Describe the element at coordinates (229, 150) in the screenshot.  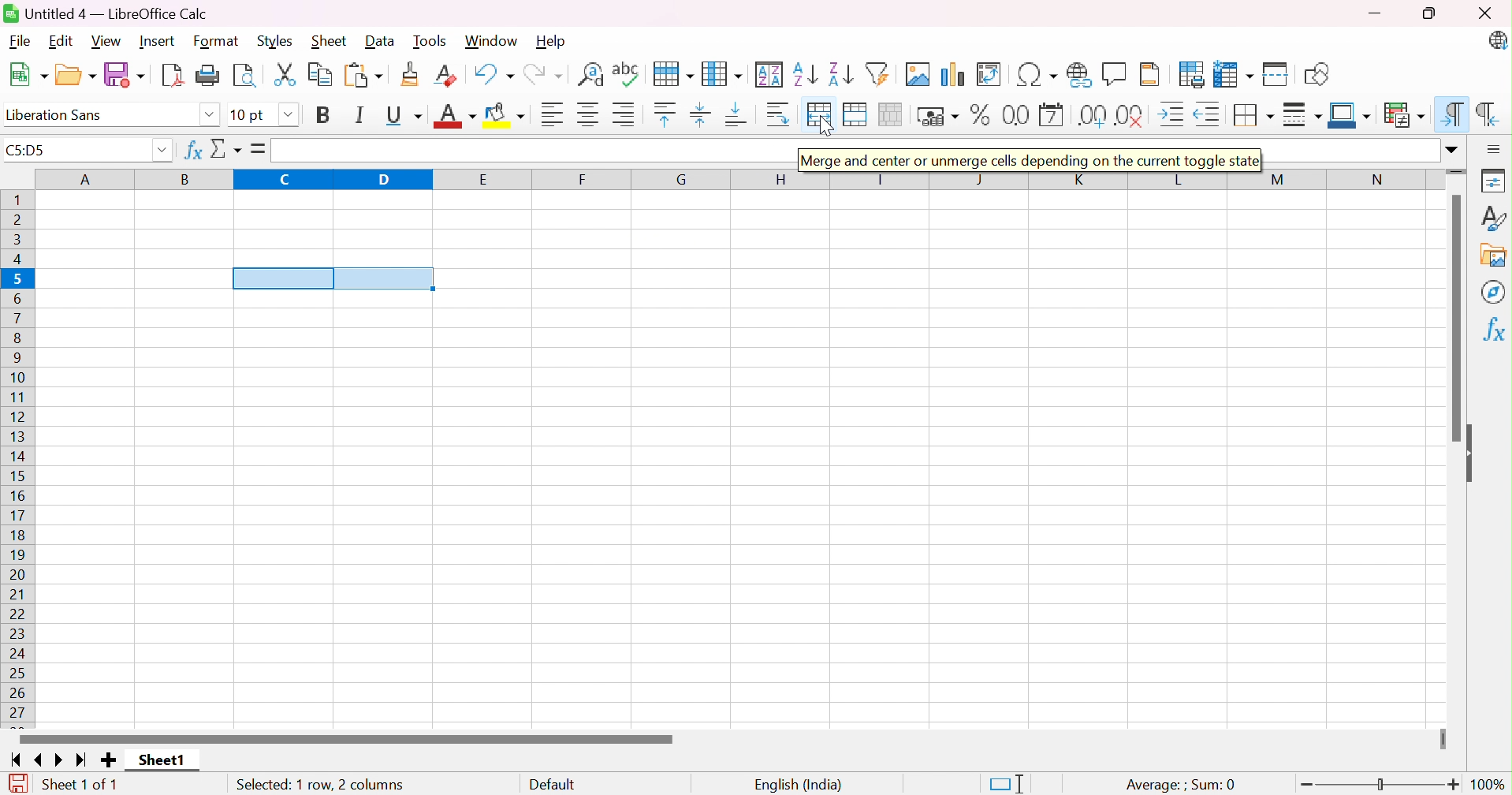
I see `Select Function` at that location.